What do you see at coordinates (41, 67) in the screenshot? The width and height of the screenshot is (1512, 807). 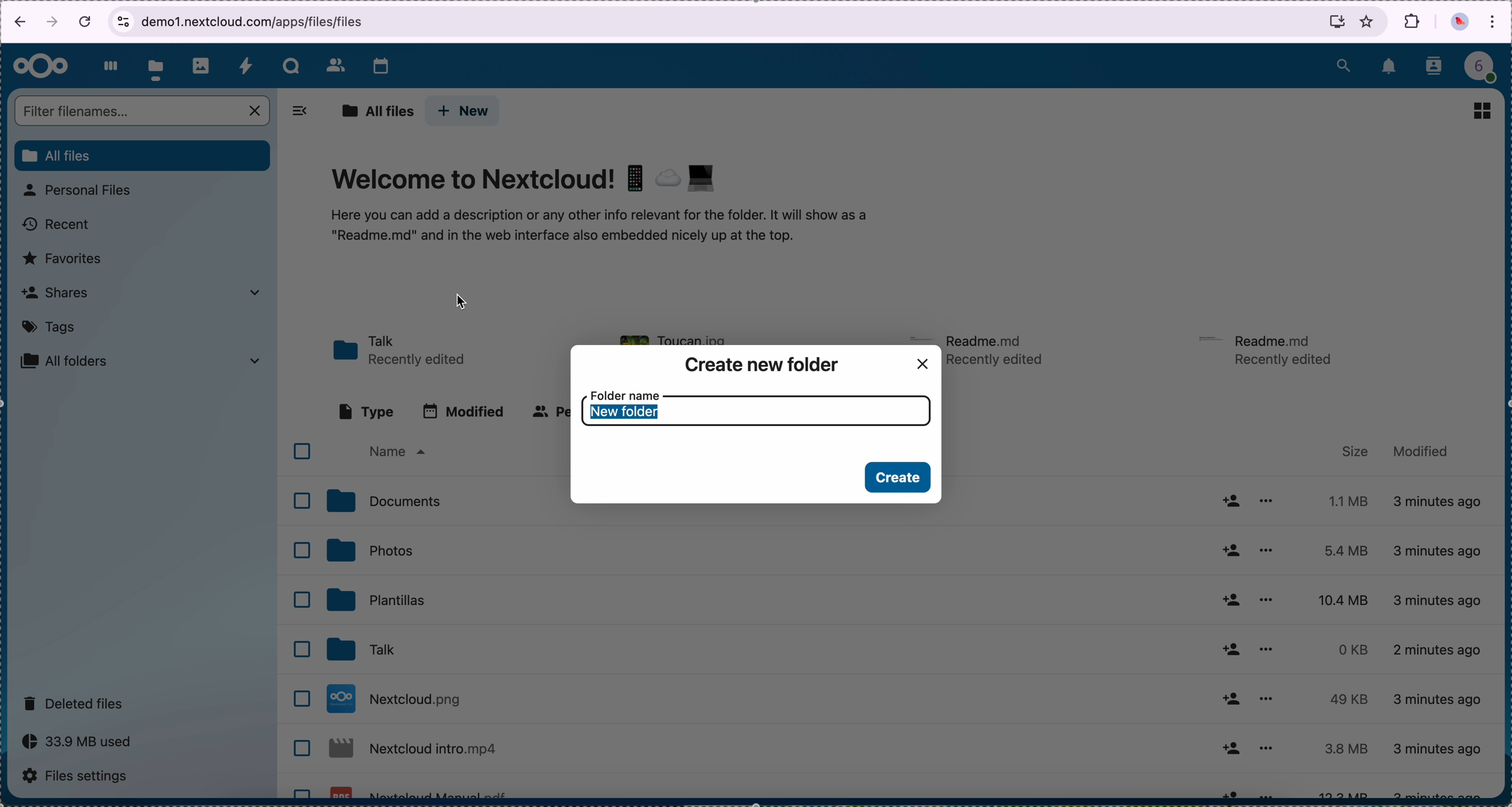 I see `Nextcloud logo` at bounding box center [41, 67].